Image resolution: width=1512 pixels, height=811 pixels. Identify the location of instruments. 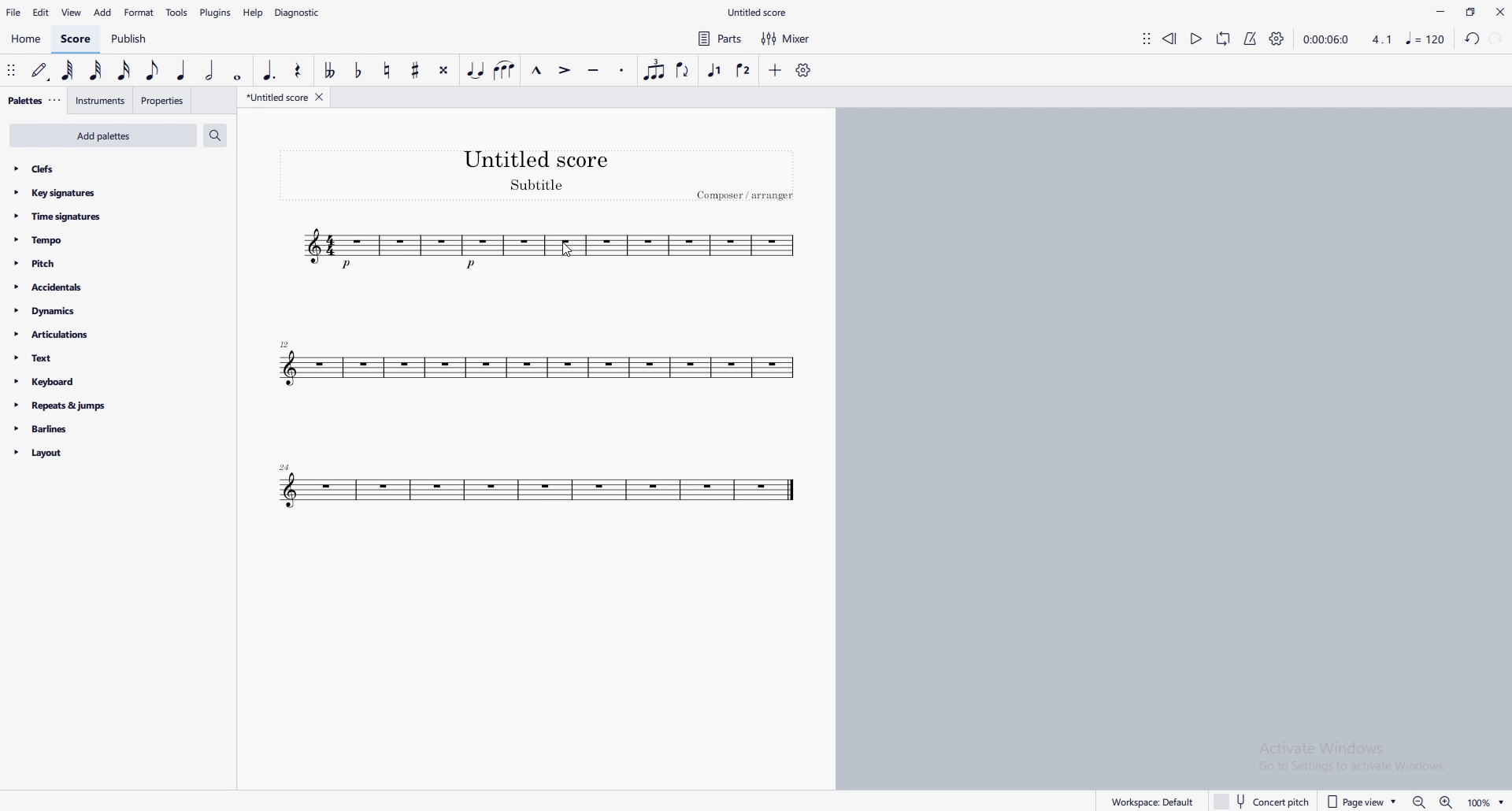
(102, 101).